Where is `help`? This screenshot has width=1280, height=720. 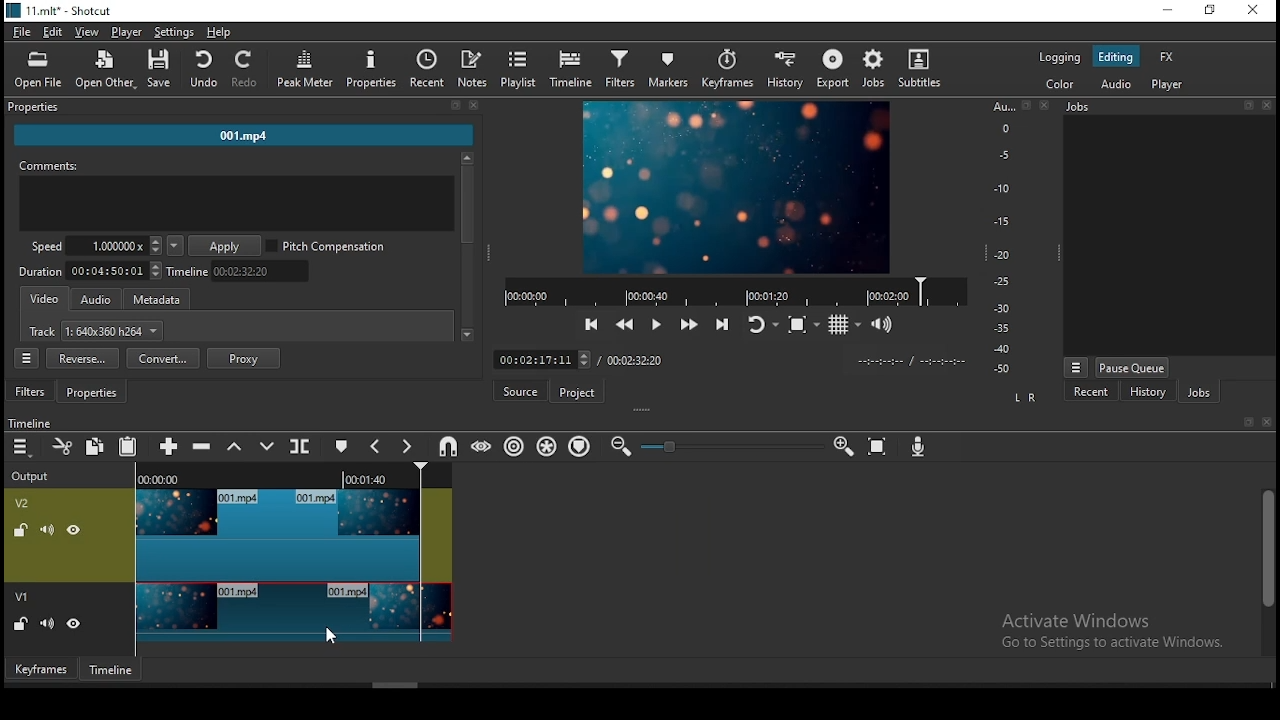 help is located at coordinates (219, 31).